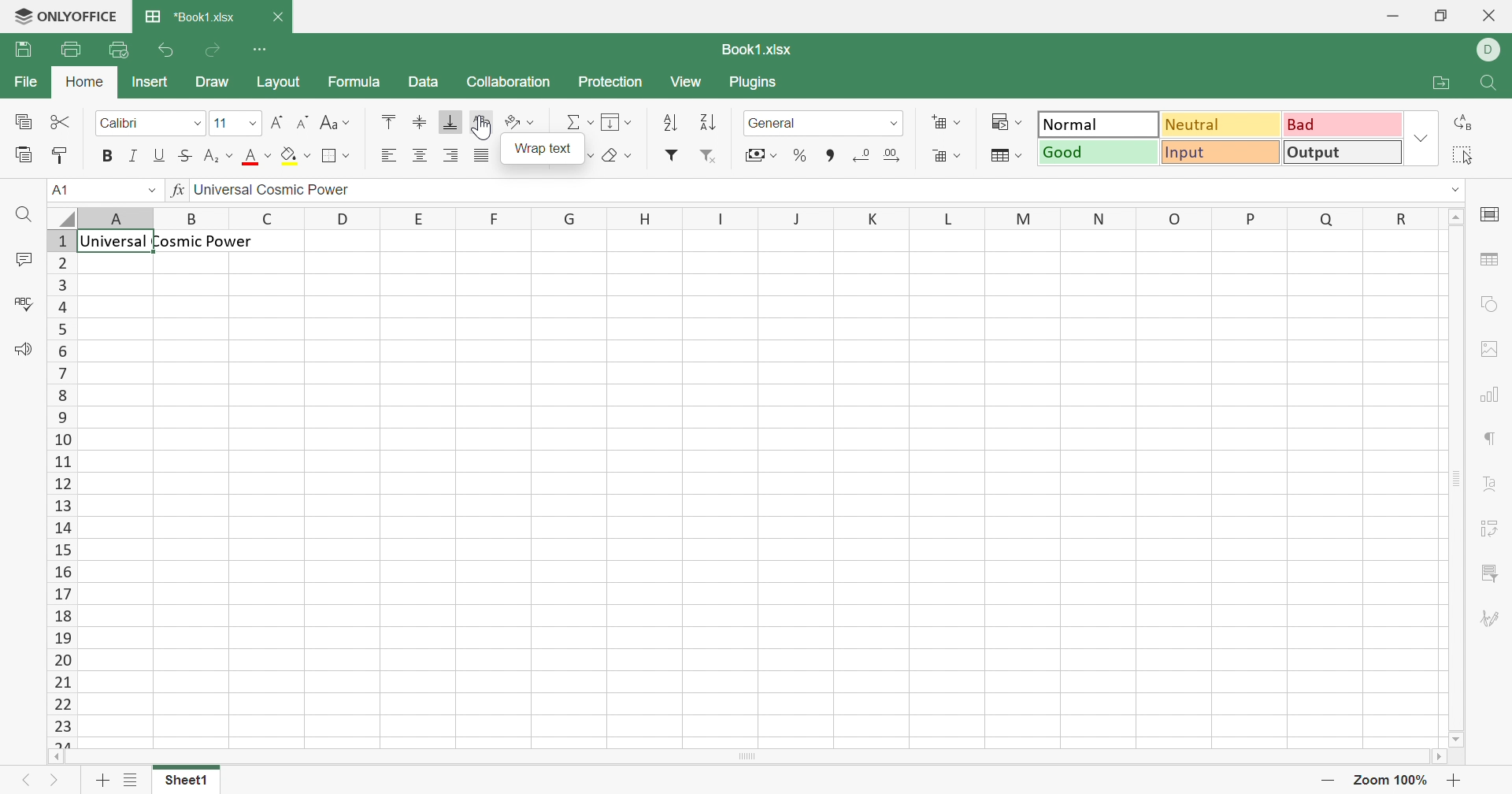 The width and height of the screenshot is (1512, 794). I want to click on Decrement font size, so click(306, 121).